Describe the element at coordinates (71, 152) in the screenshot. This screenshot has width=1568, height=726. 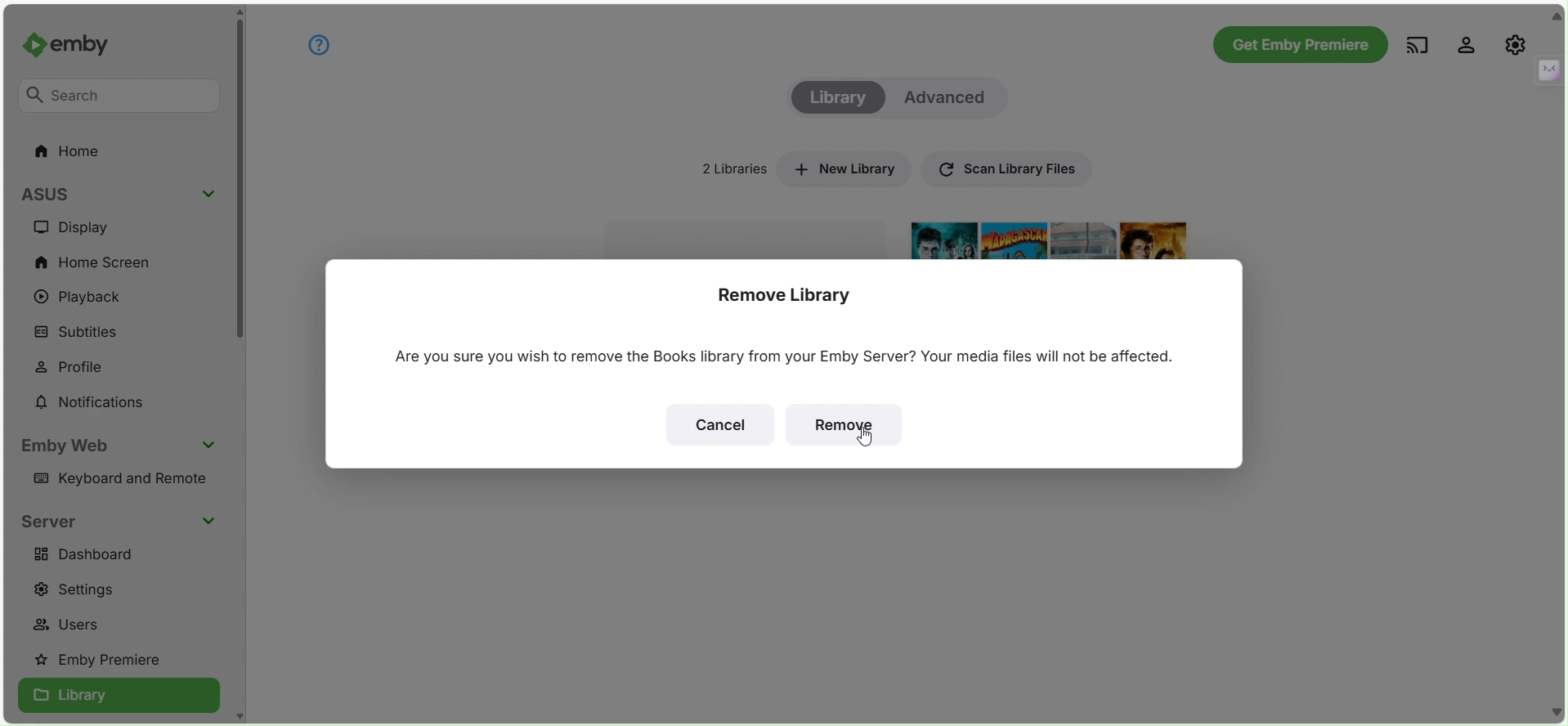
I see `Home` at that location.